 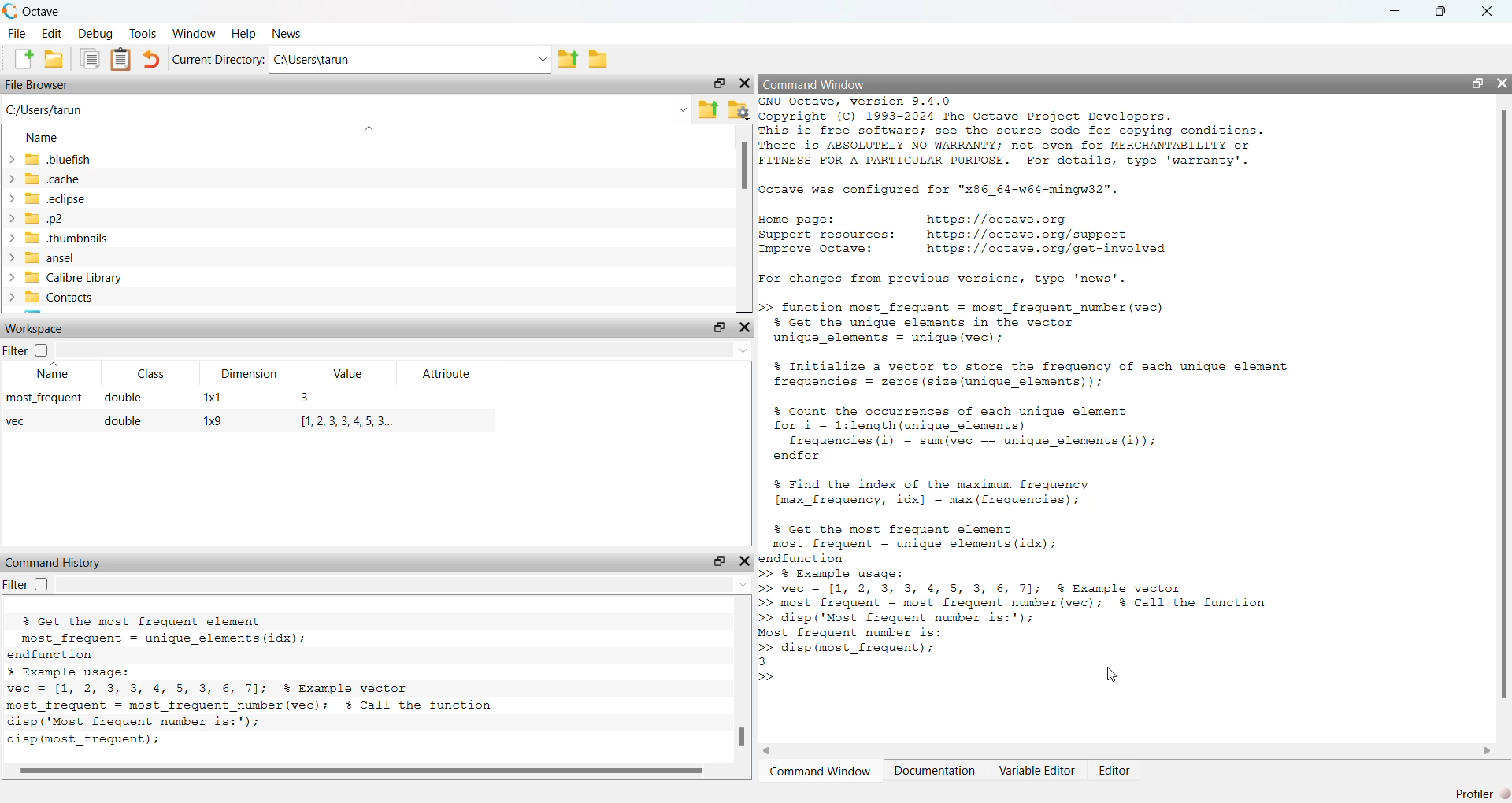 What do you see at coordinates (20, 421) in the screenshot?
I see `vec` at bounding box center [20, 421].